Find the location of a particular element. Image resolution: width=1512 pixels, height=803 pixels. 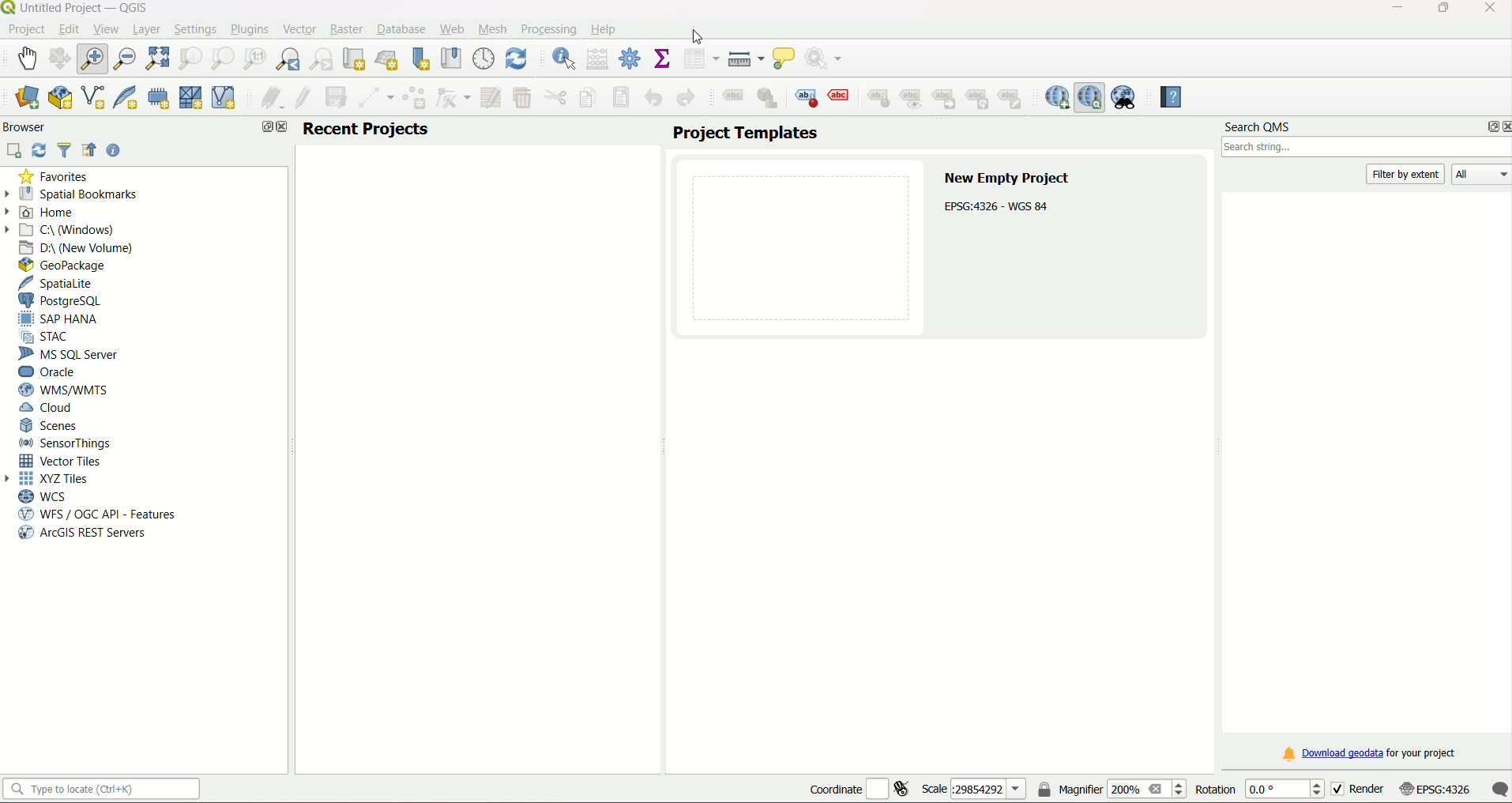

close is located at coordinates (1503, 126).